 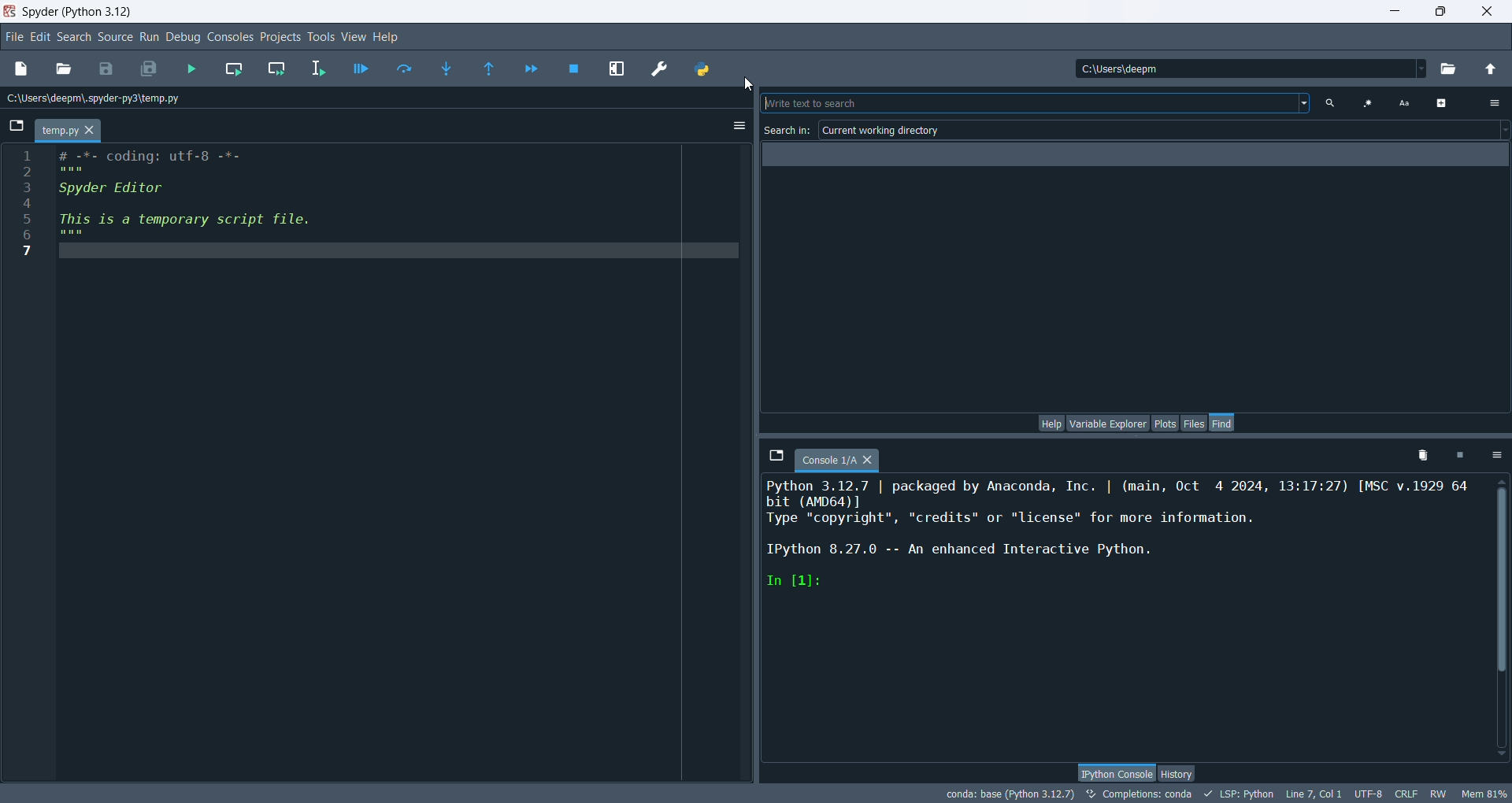 I want to click on preferences, so click(x=656, y=68).